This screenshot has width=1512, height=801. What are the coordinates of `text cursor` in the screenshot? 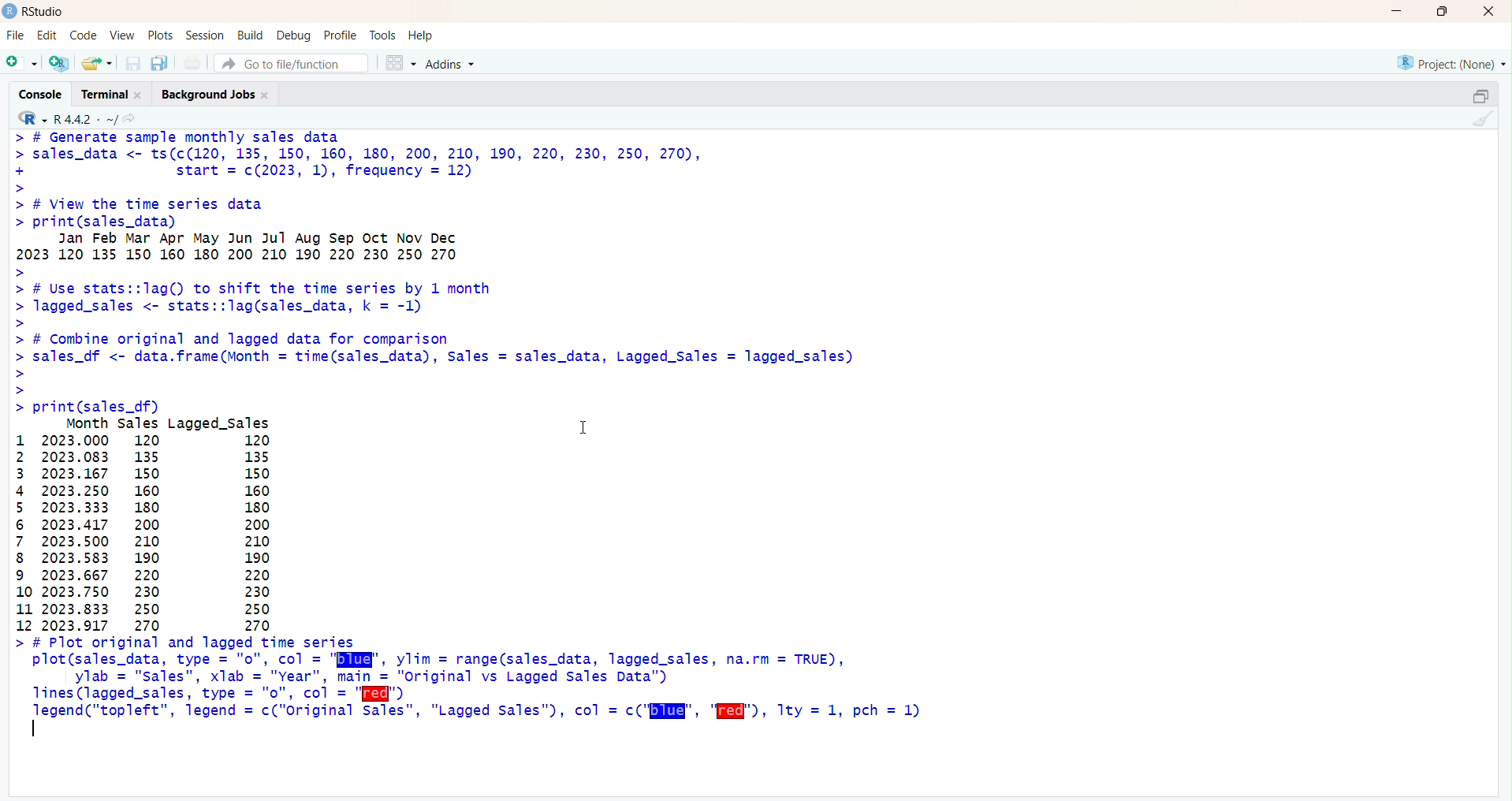 It's located at (35, 728).